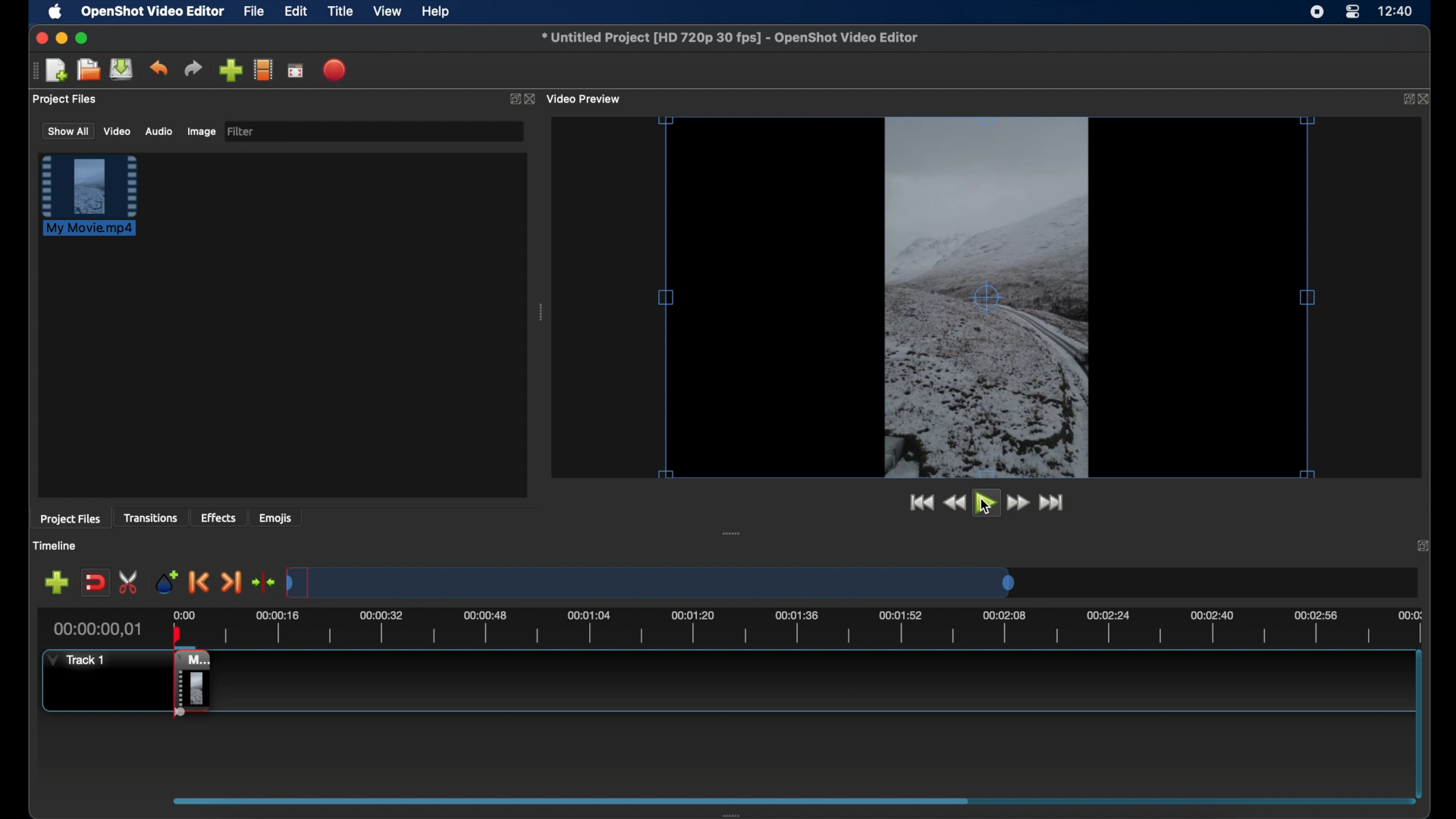 The height and width of the screenshot is (819, 1456). I want to click on transitions, so click(152, 519).